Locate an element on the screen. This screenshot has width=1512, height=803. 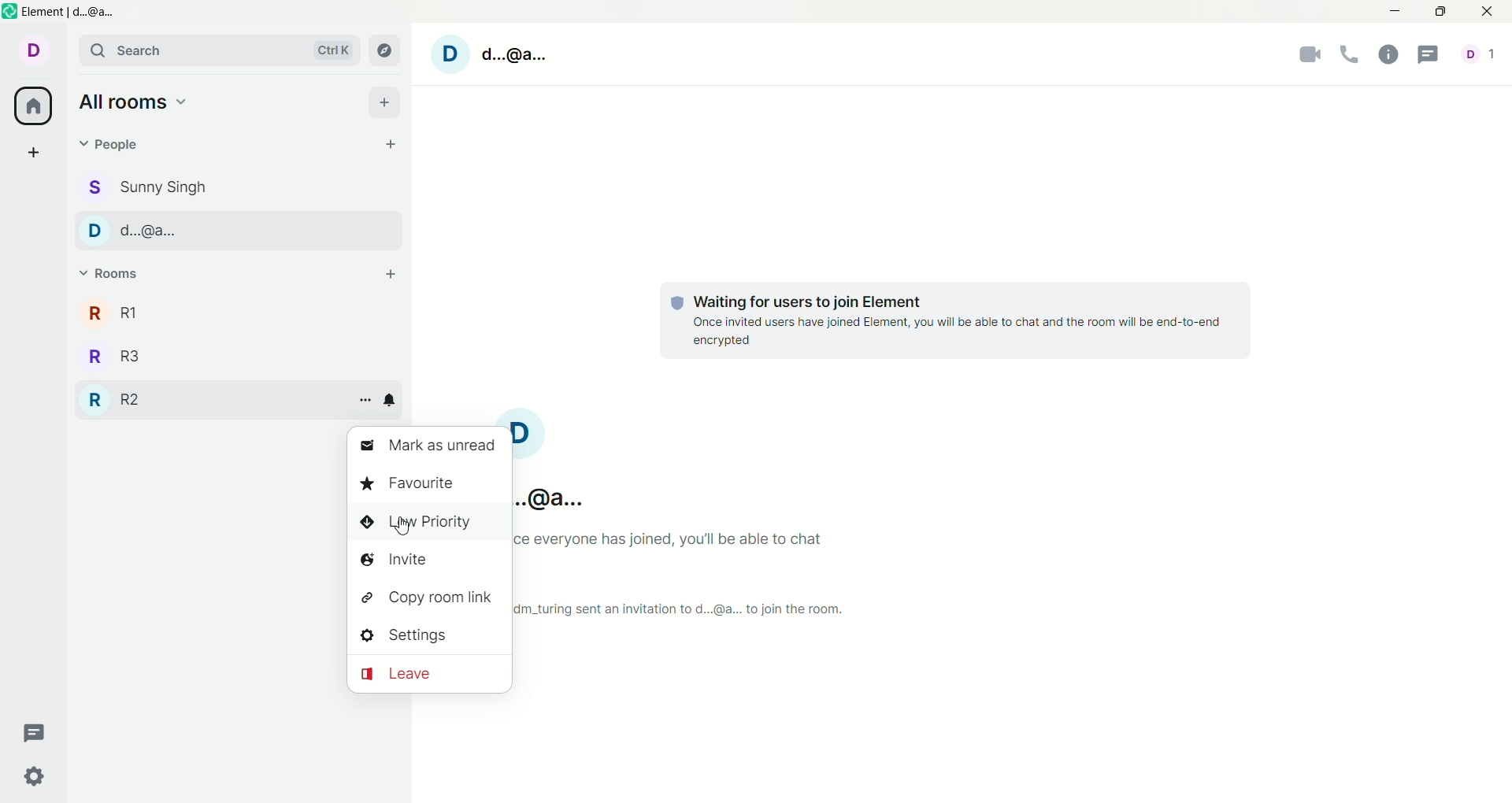
audio call is located at coordinates (1351, 56).